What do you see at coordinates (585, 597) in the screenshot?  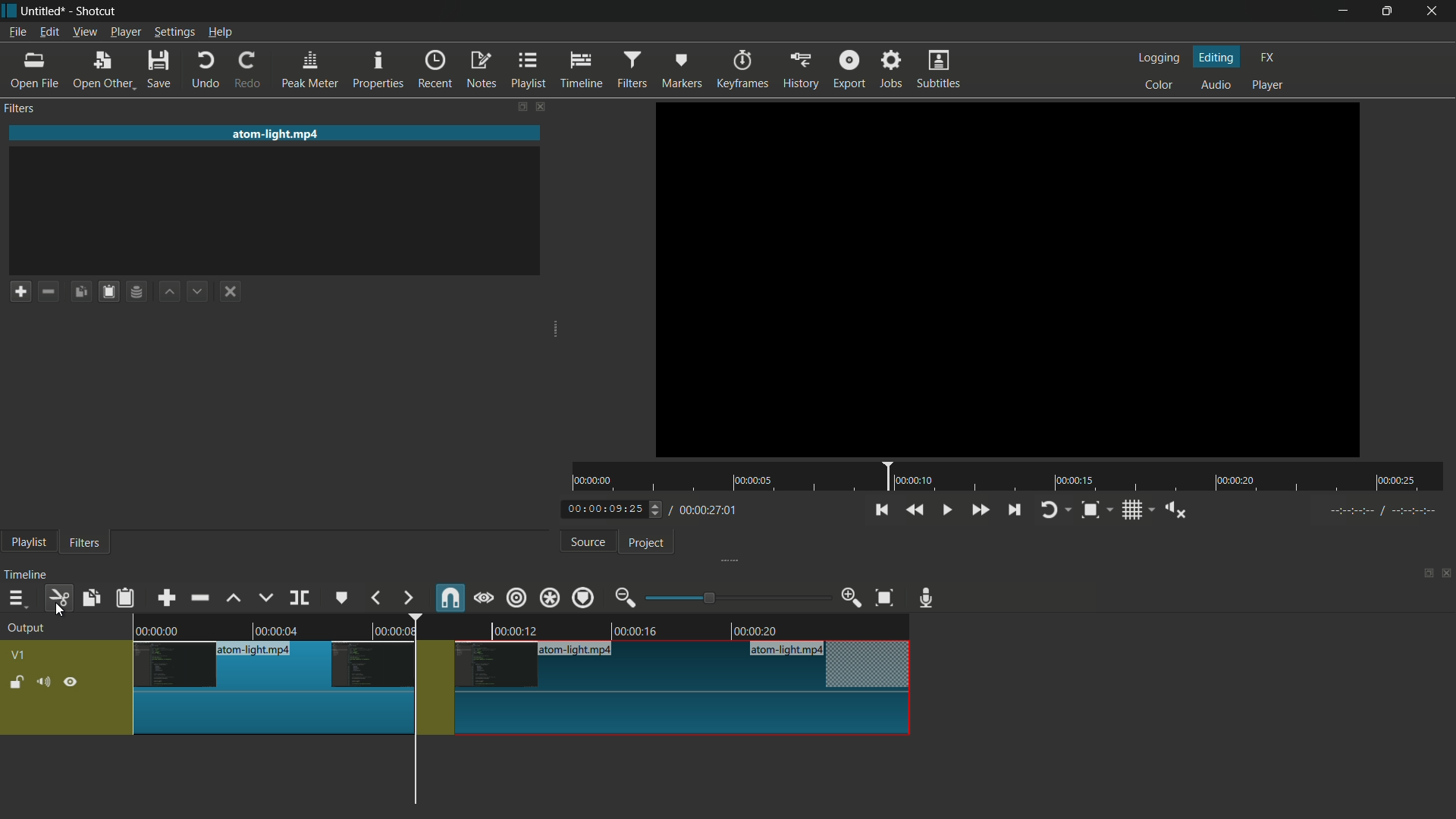 I see `ripple markers` at bounding box center [585, 597].